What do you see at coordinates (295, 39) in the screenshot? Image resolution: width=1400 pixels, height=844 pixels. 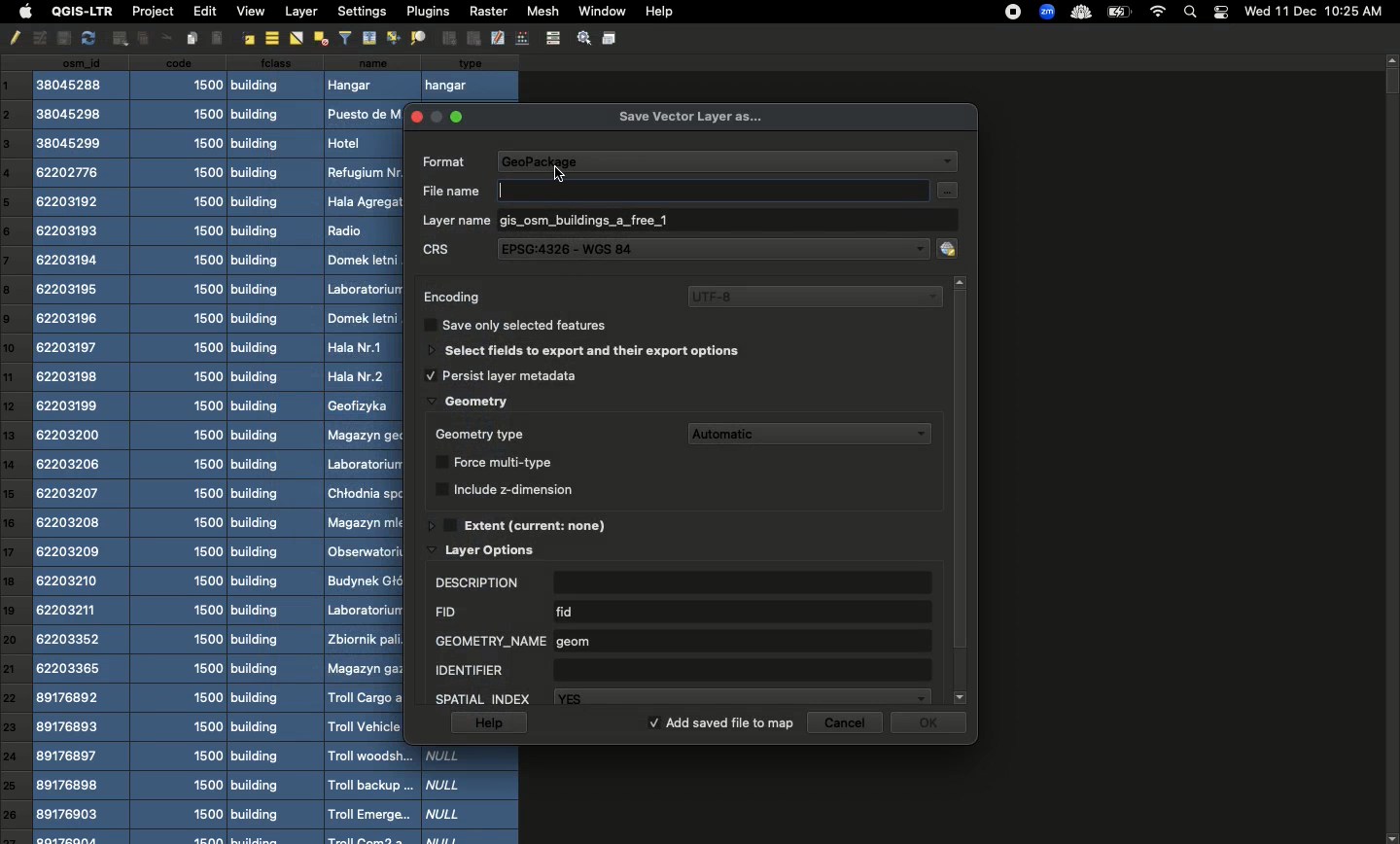 I see `Flip Horizontally` at bounding box center [295, 39].